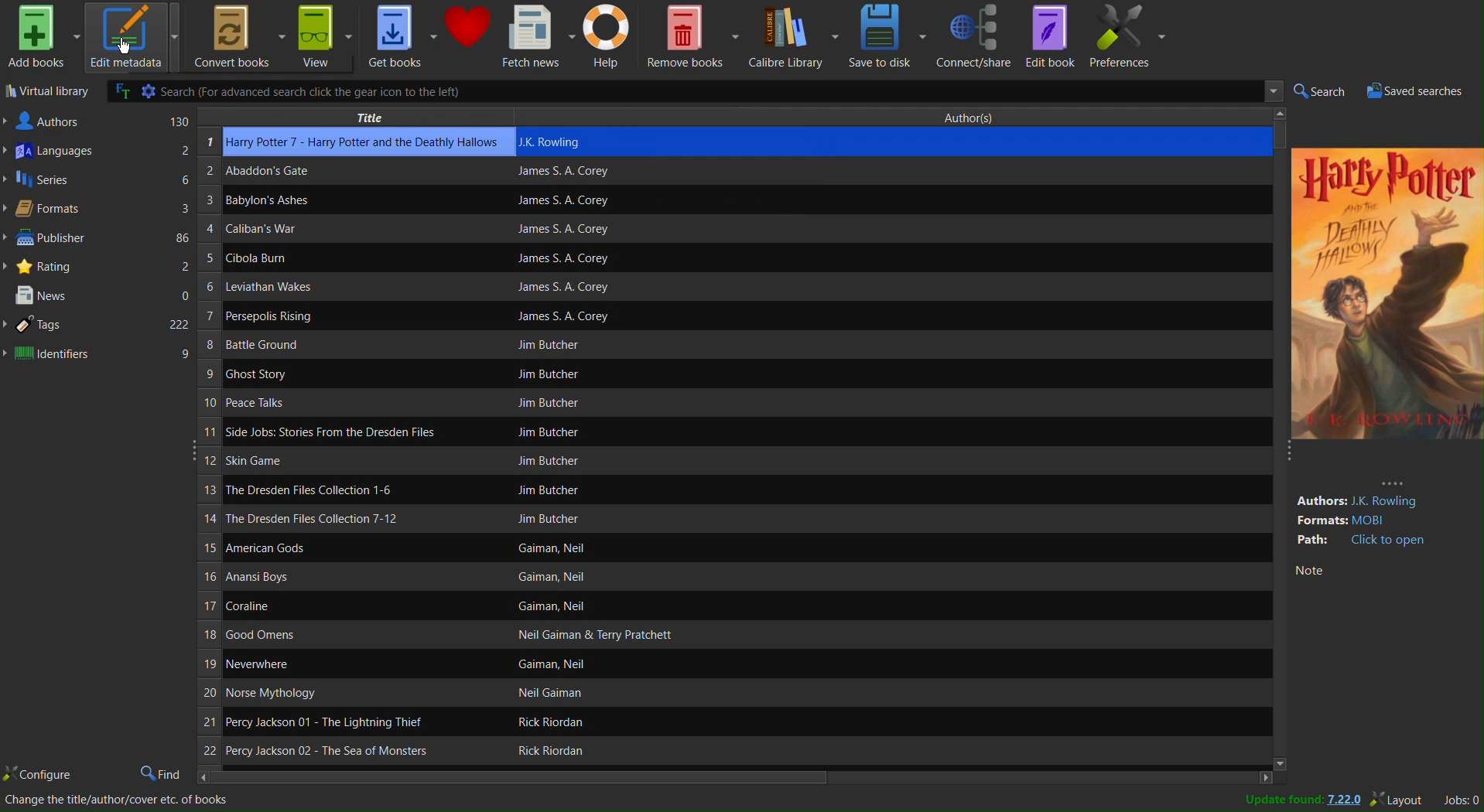  What do you see at coordinates (1321, 91) in the screenshot?
I see `Search` at bounding box center [1321, 91].